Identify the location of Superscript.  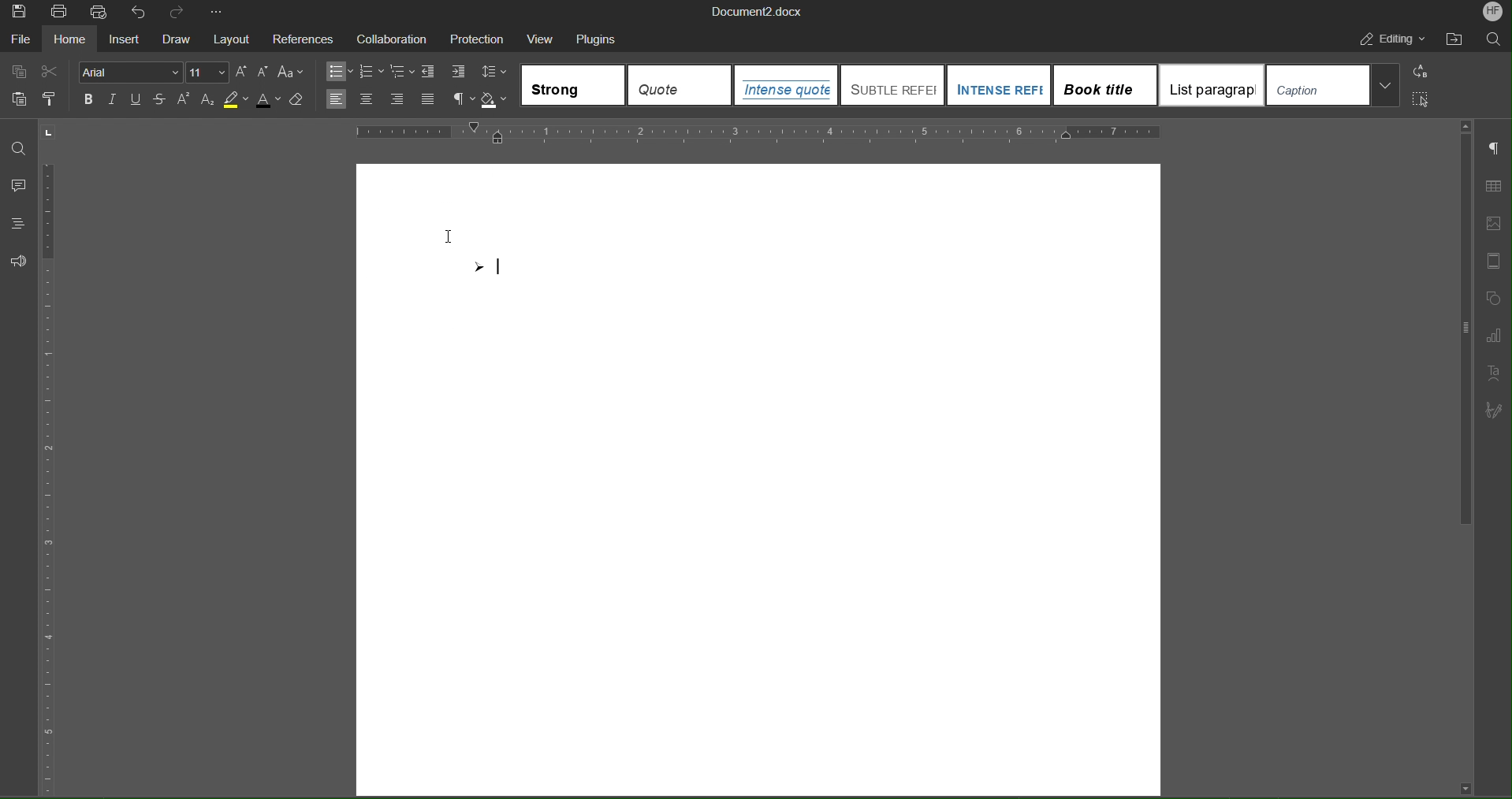
(187, 99).